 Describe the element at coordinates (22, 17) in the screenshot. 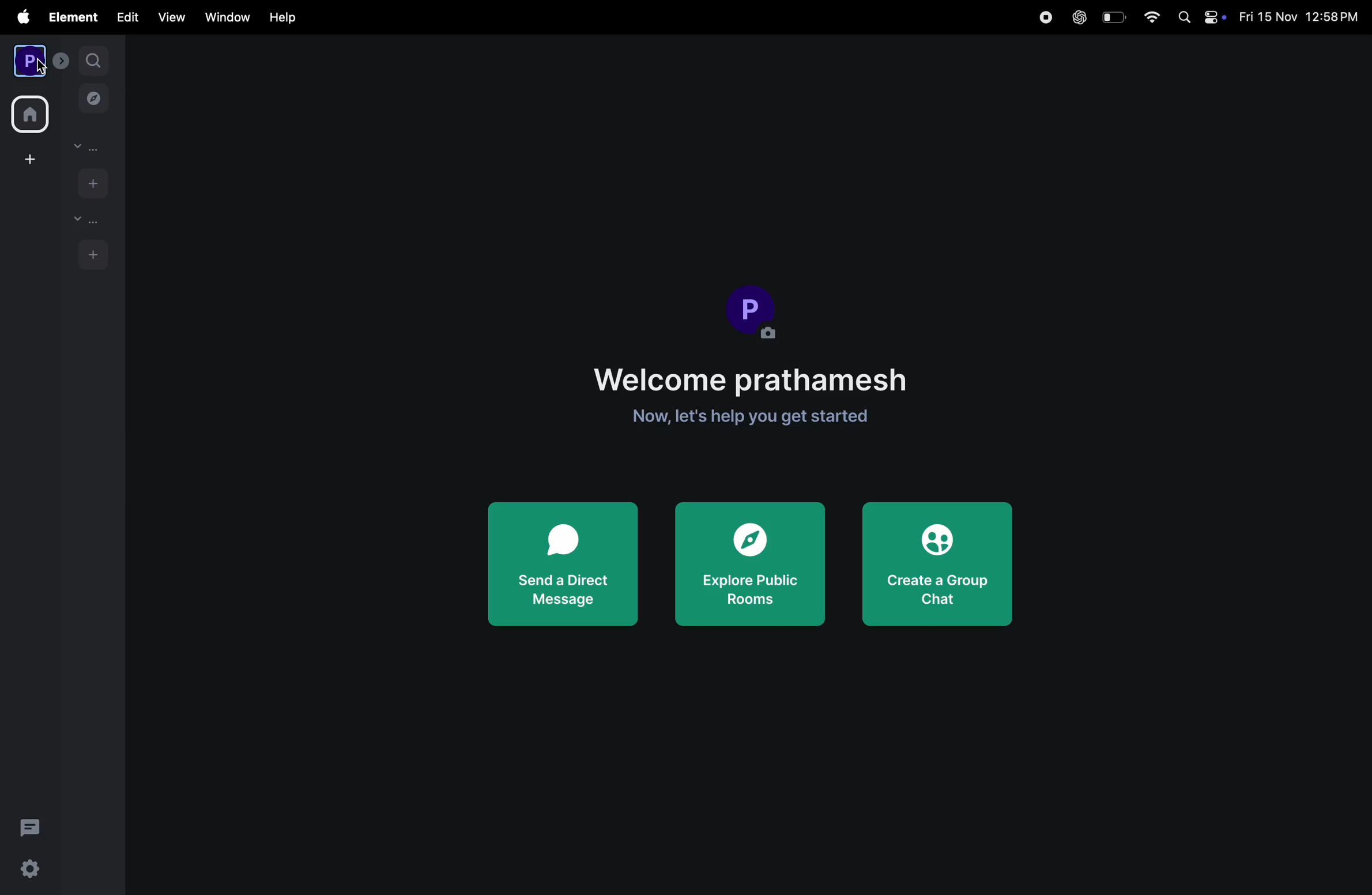

I see `apple menu` at that location.